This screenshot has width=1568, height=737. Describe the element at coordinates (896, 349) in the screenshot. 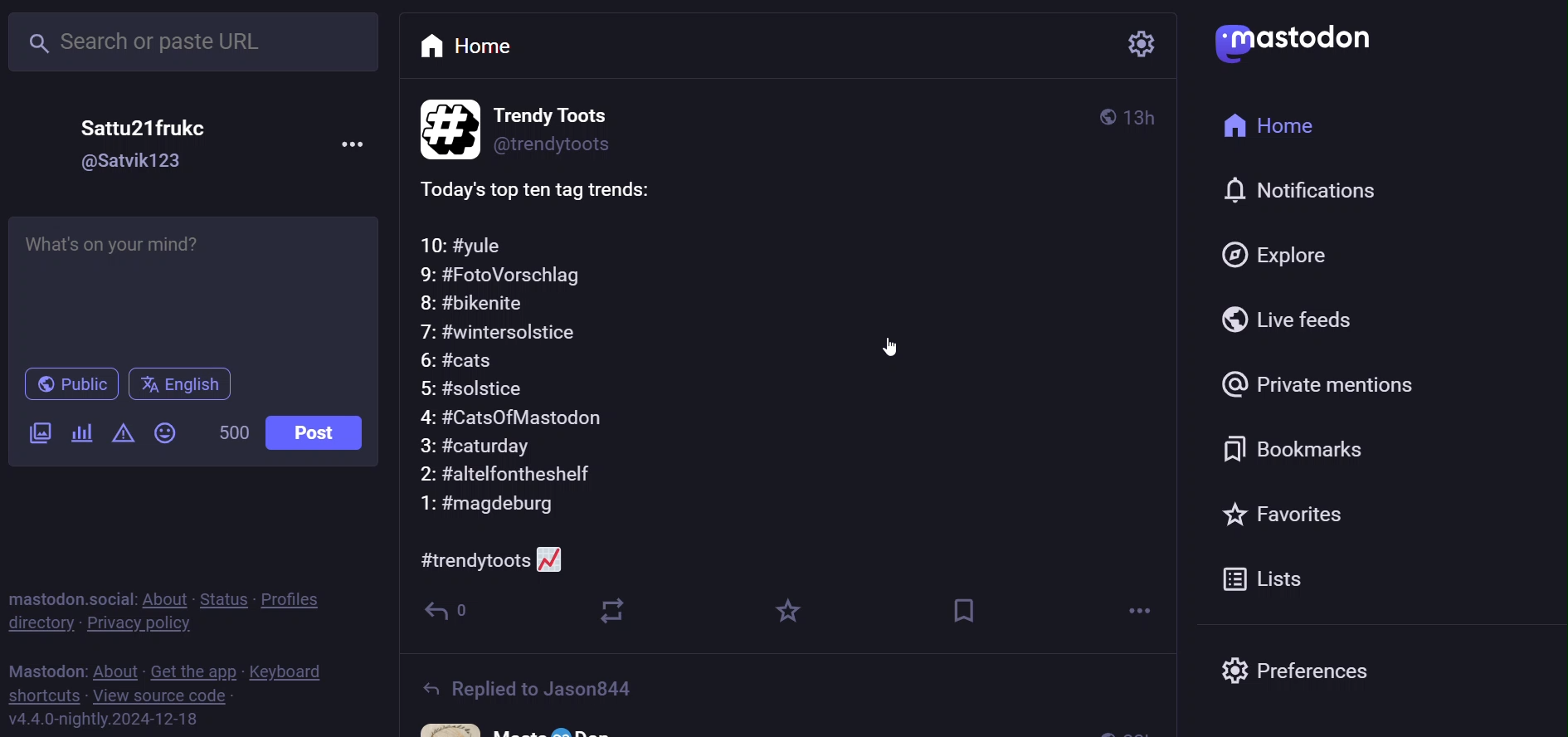

I see `cursor` at that location.